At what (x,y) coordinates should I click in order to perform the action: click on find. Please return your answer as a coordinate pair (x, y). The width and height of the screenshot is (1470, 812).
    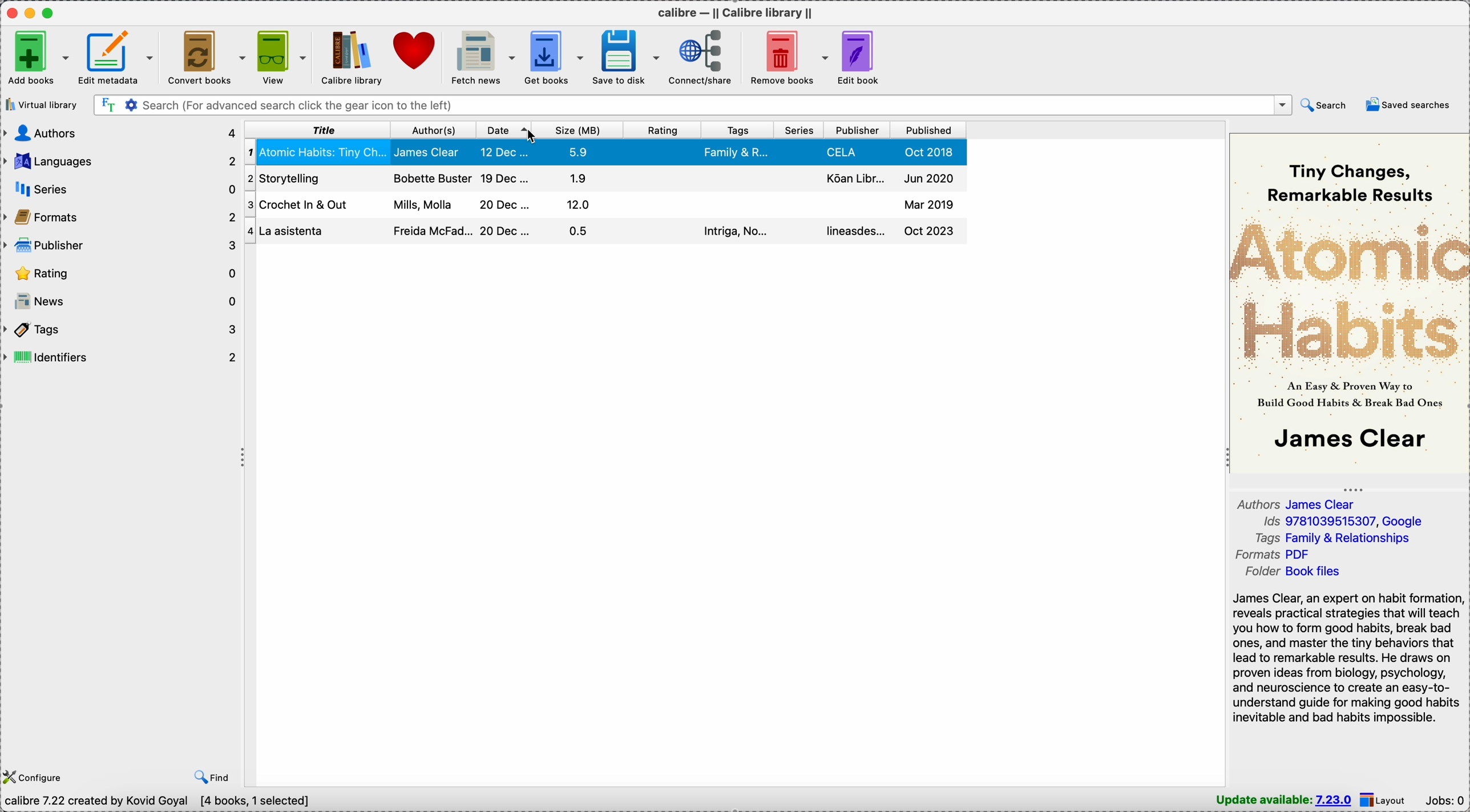
    Looking at the image, I should click on (209, 776).